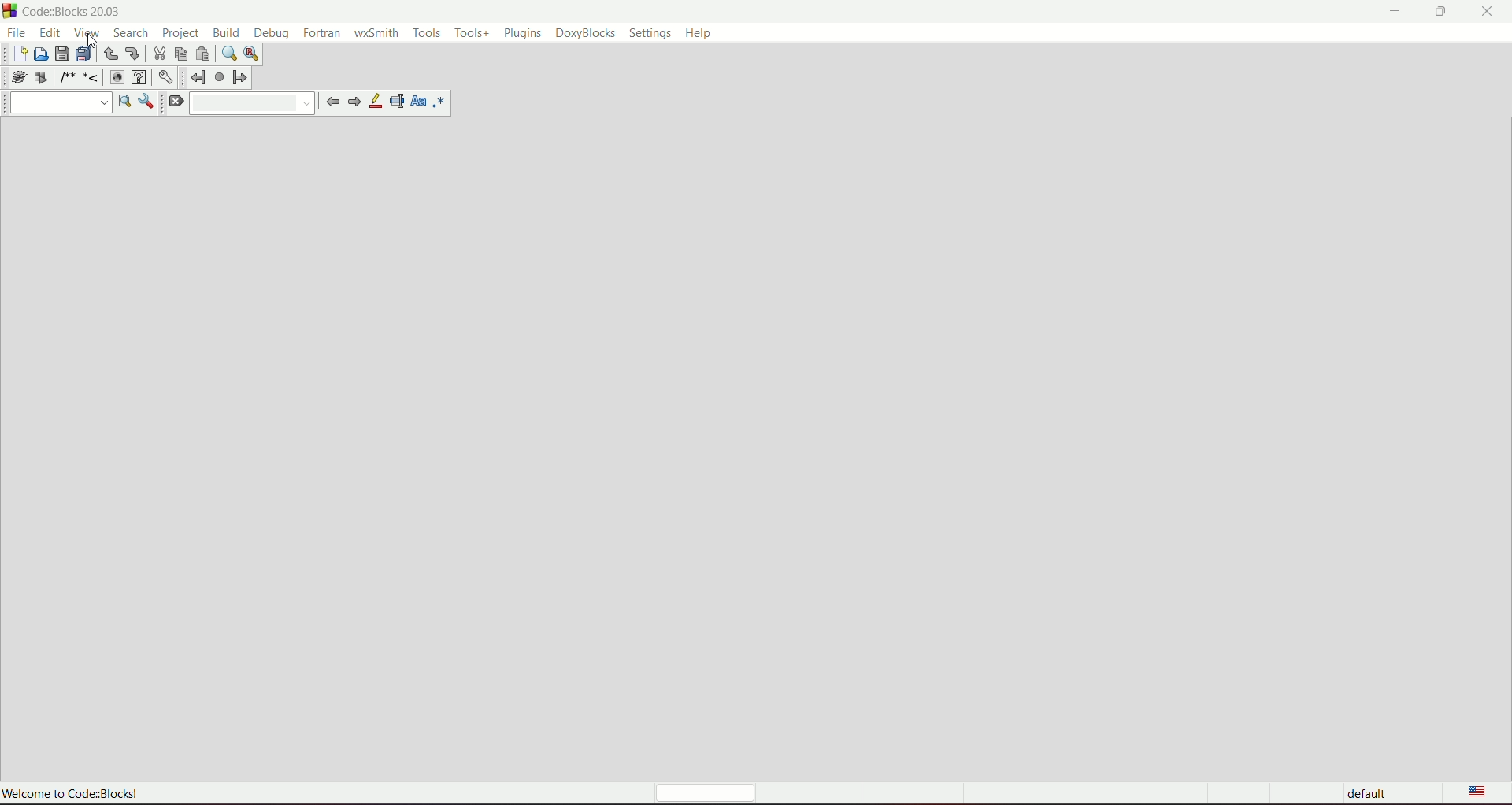 The image size is (1512, 805). What do you see at coordinates (135, 54) in the screenshot?
I see `redo` at bounding box center [135, 54].